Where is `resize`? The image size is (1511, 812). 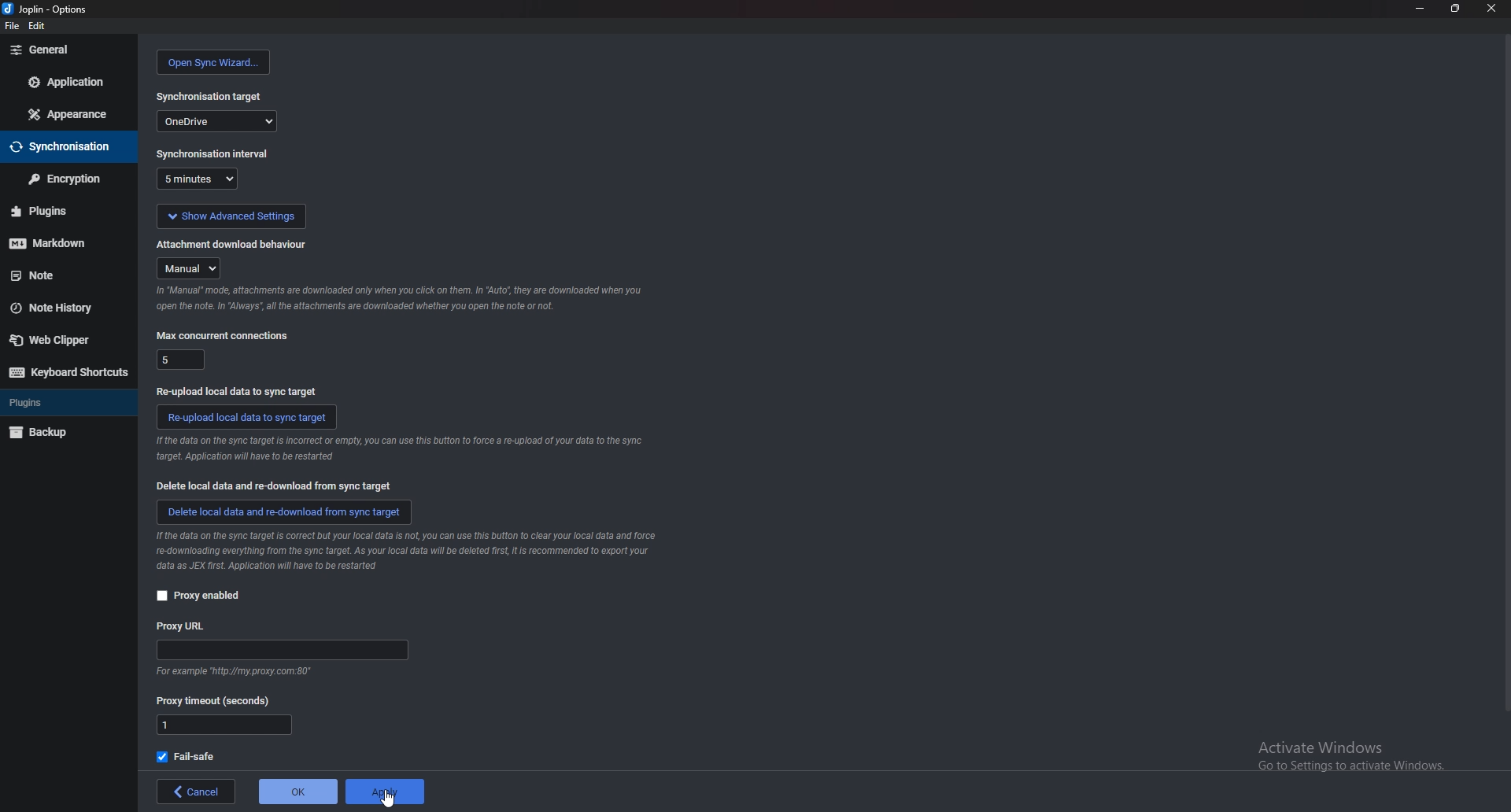 resize is located at coordinates (1452, 8).